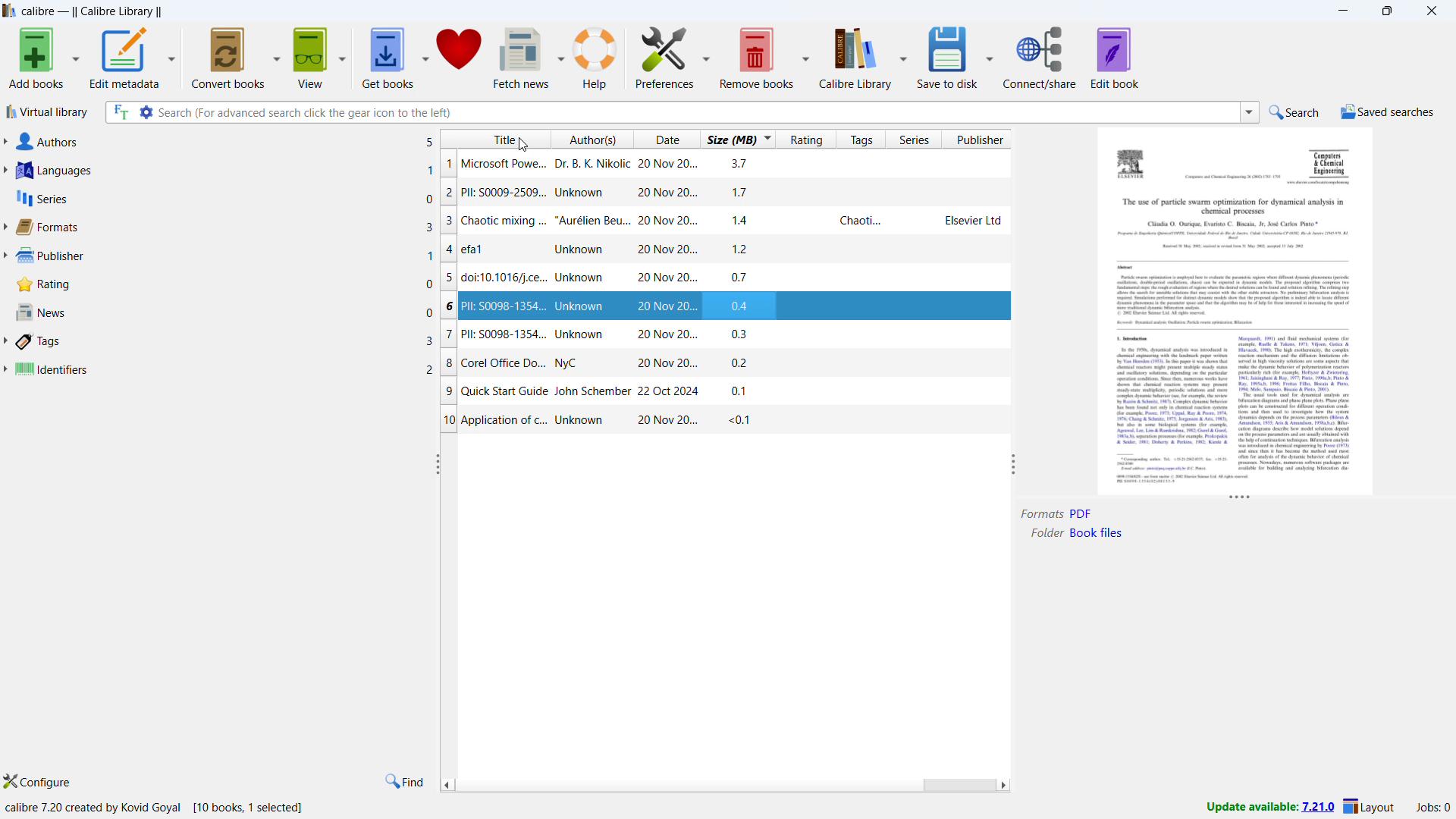  What do you see at coordinates (1136, 163) in the screenshot?
I see `` at bounding box center [1136, 163].